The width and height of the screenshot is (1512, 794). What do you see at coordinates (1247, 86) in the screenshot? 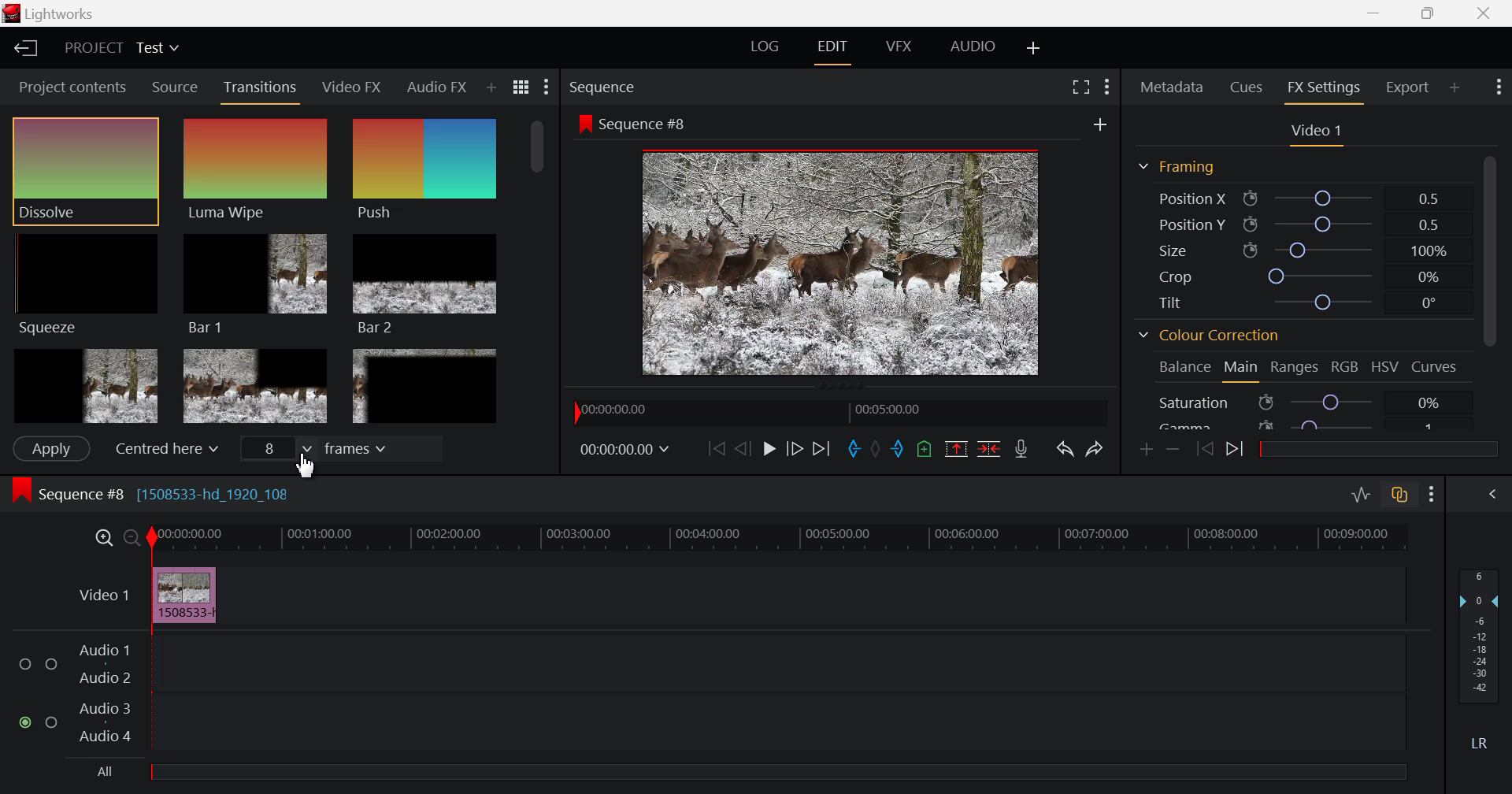
I see `Cues` at bounding box center [1247, 86].